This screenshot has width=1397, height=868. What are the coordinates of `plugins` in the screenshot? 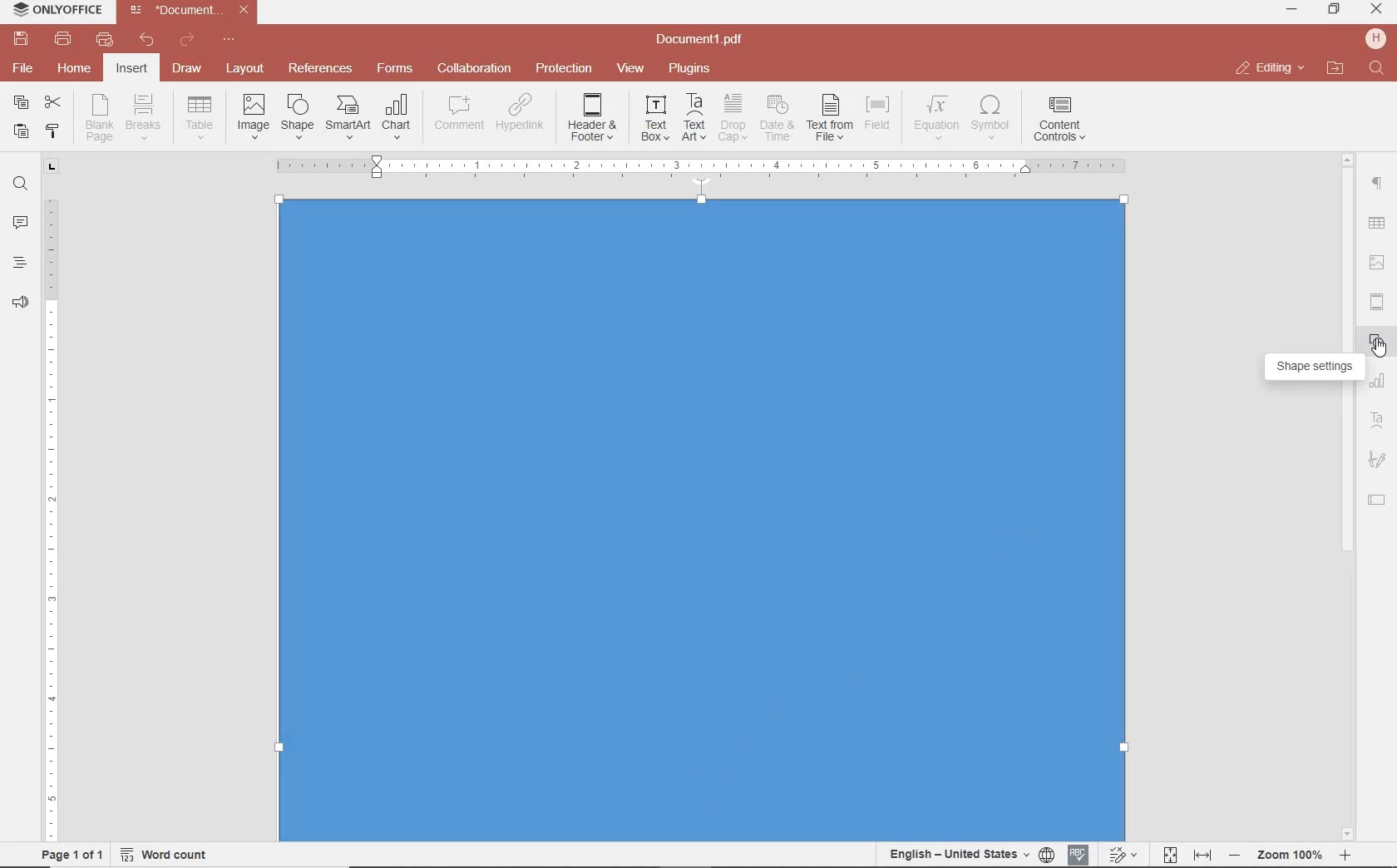 It's located at (693, 69).